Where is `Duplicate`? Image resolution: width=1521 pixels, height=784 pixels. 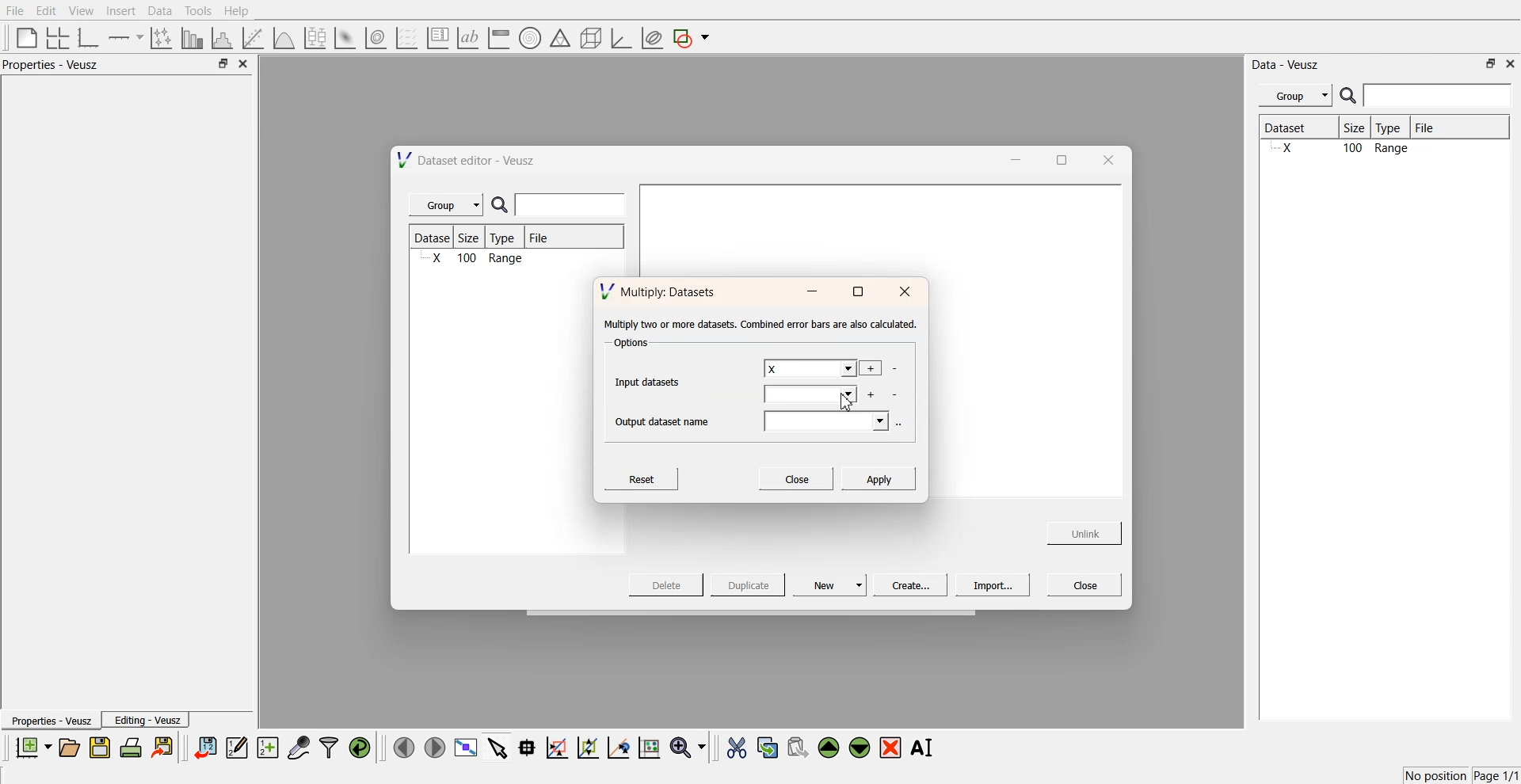 Duplicate is located at coordinates (748, 586).